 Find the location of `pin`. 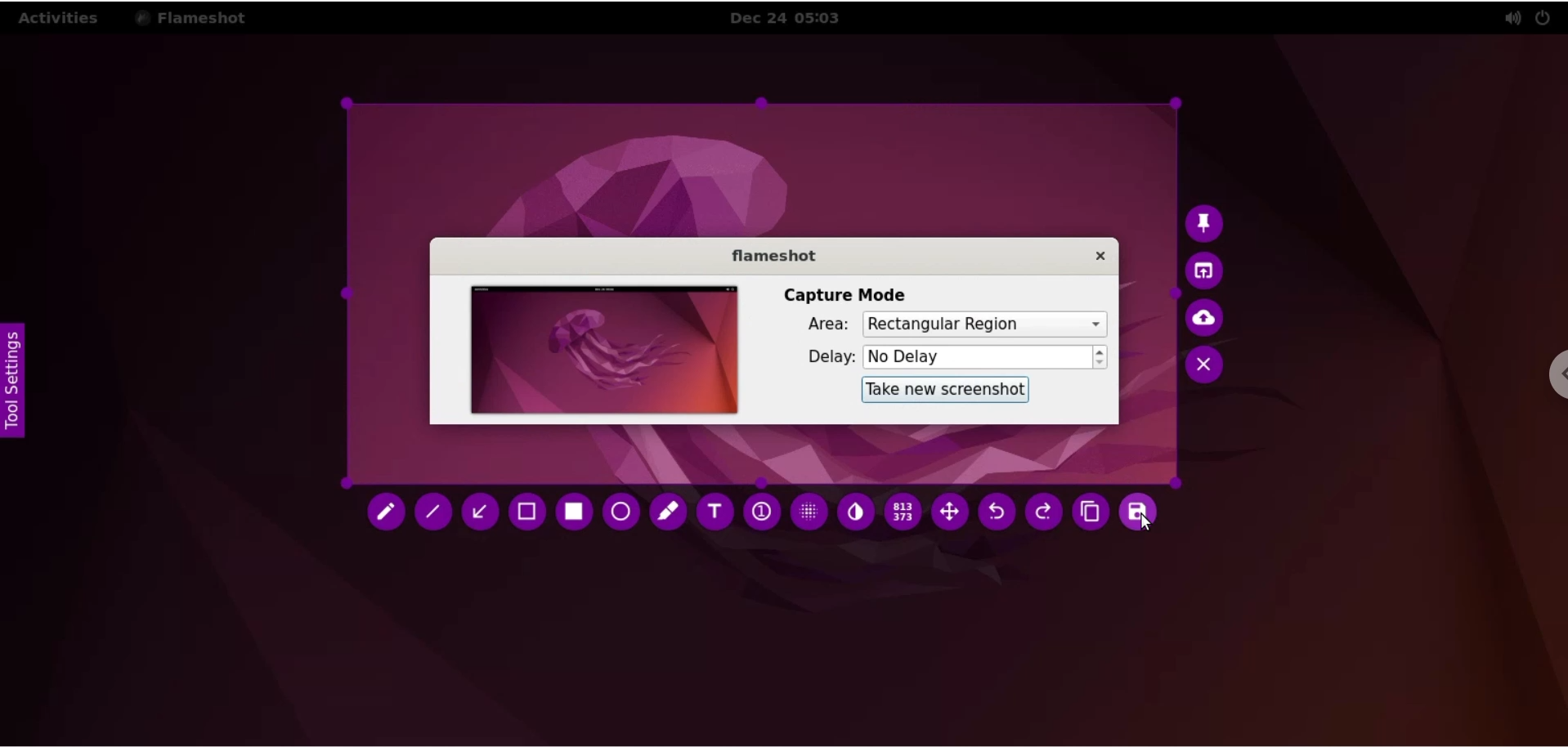

pin is located at coordinates (1209, 224).